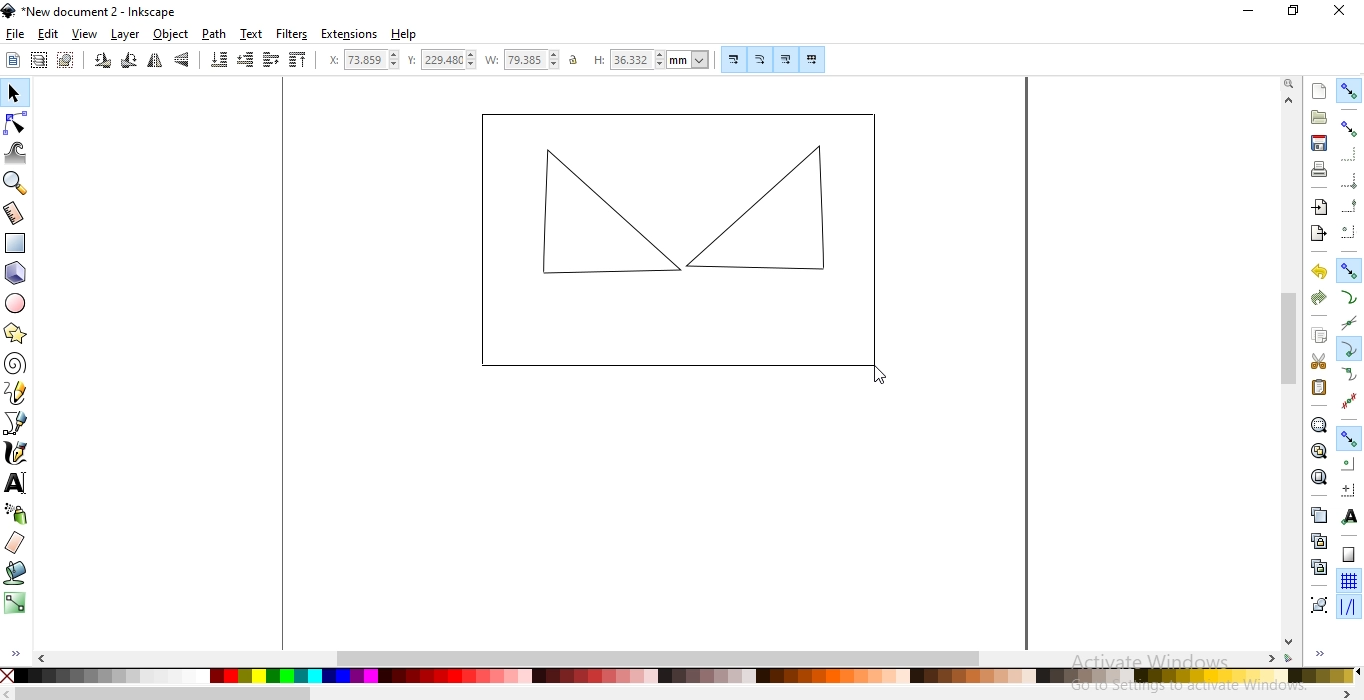 The height and width of the screenshot is (700, 1364). What do you see at coordinates (15, 659) in the screenshot?
I see `expand/hide sidebar` at bounding box center [15, 659].